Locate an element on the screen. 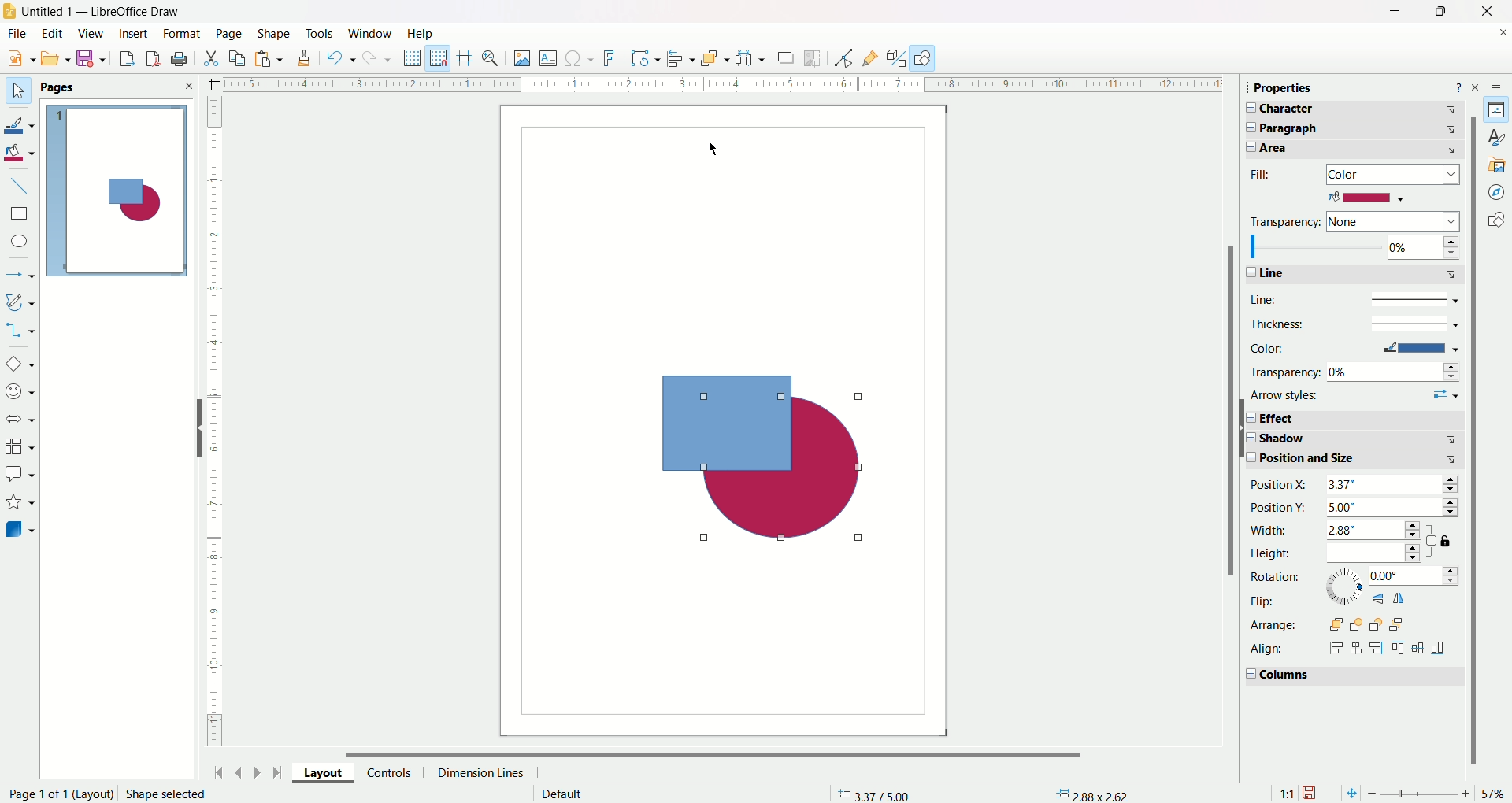 The image size is (1512, 803). paste is located at coordinates (240, 57).